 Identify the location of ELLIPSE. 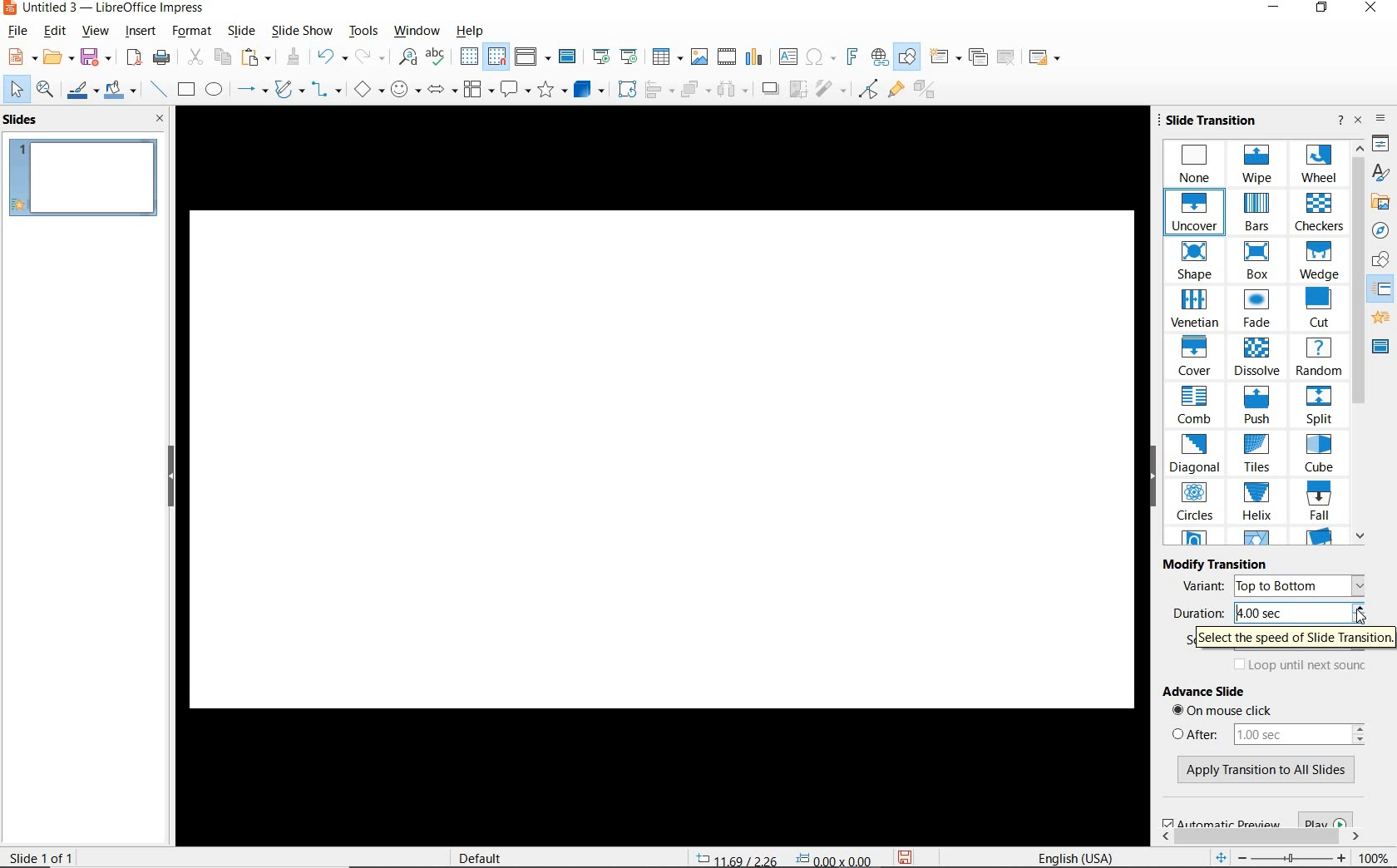
(215, 90).